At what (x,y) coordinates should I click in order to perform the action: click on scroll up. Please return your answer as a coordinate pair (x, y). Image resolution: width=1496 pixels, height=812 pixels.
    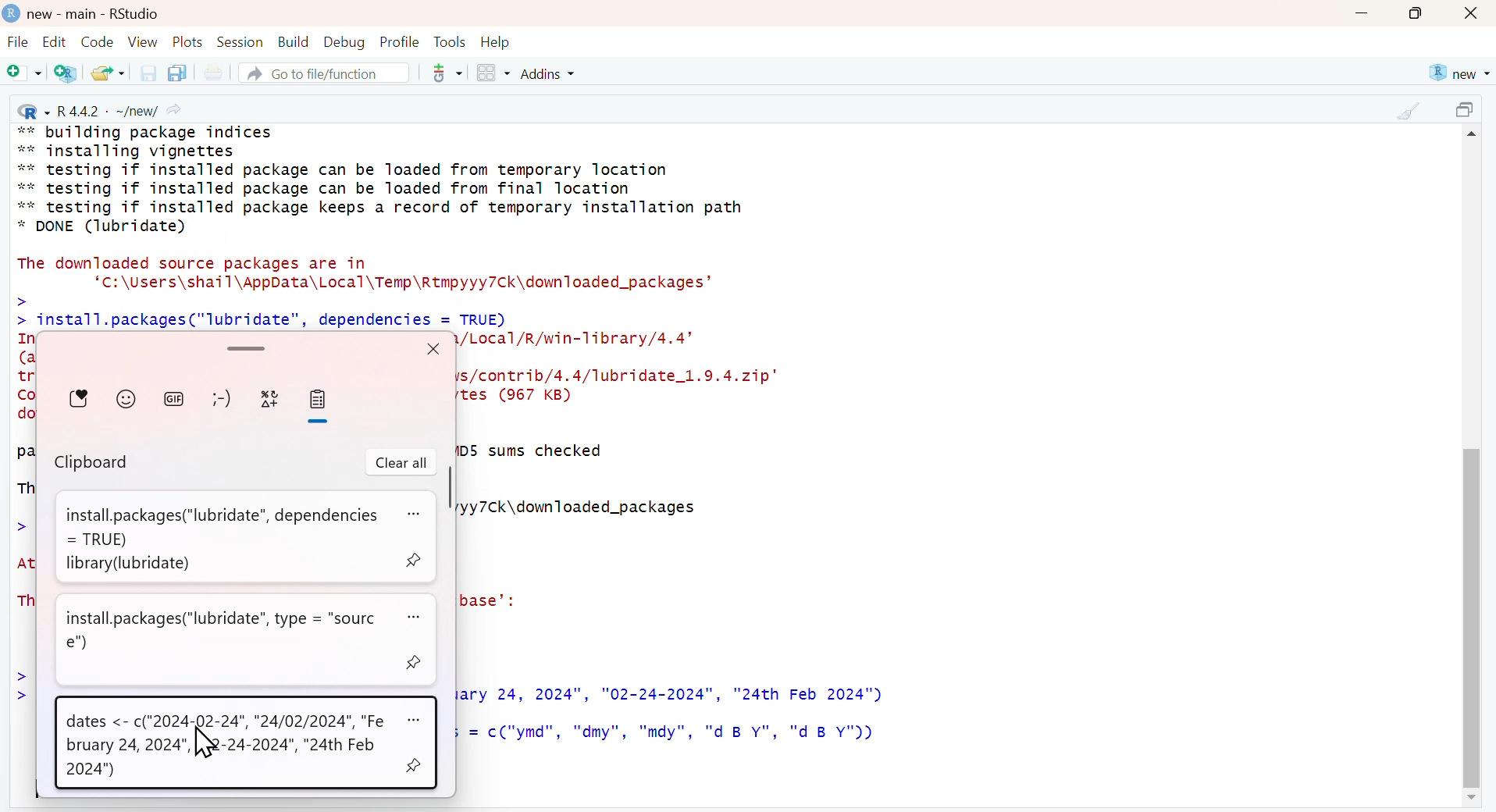
    Looking at the image, I should click on (1474, 137).